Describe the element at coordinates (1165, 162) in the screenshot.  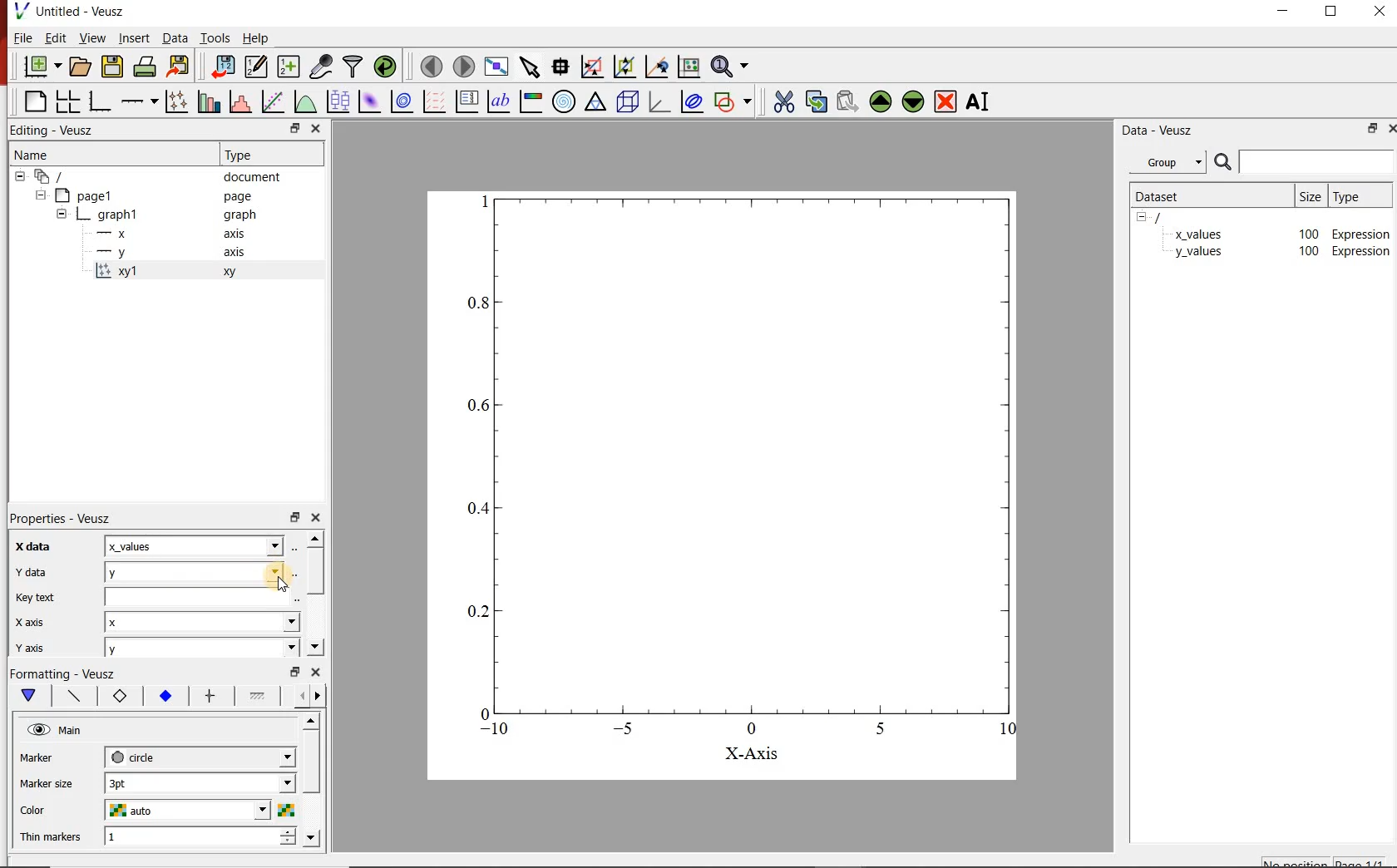
I see `group` at that location.